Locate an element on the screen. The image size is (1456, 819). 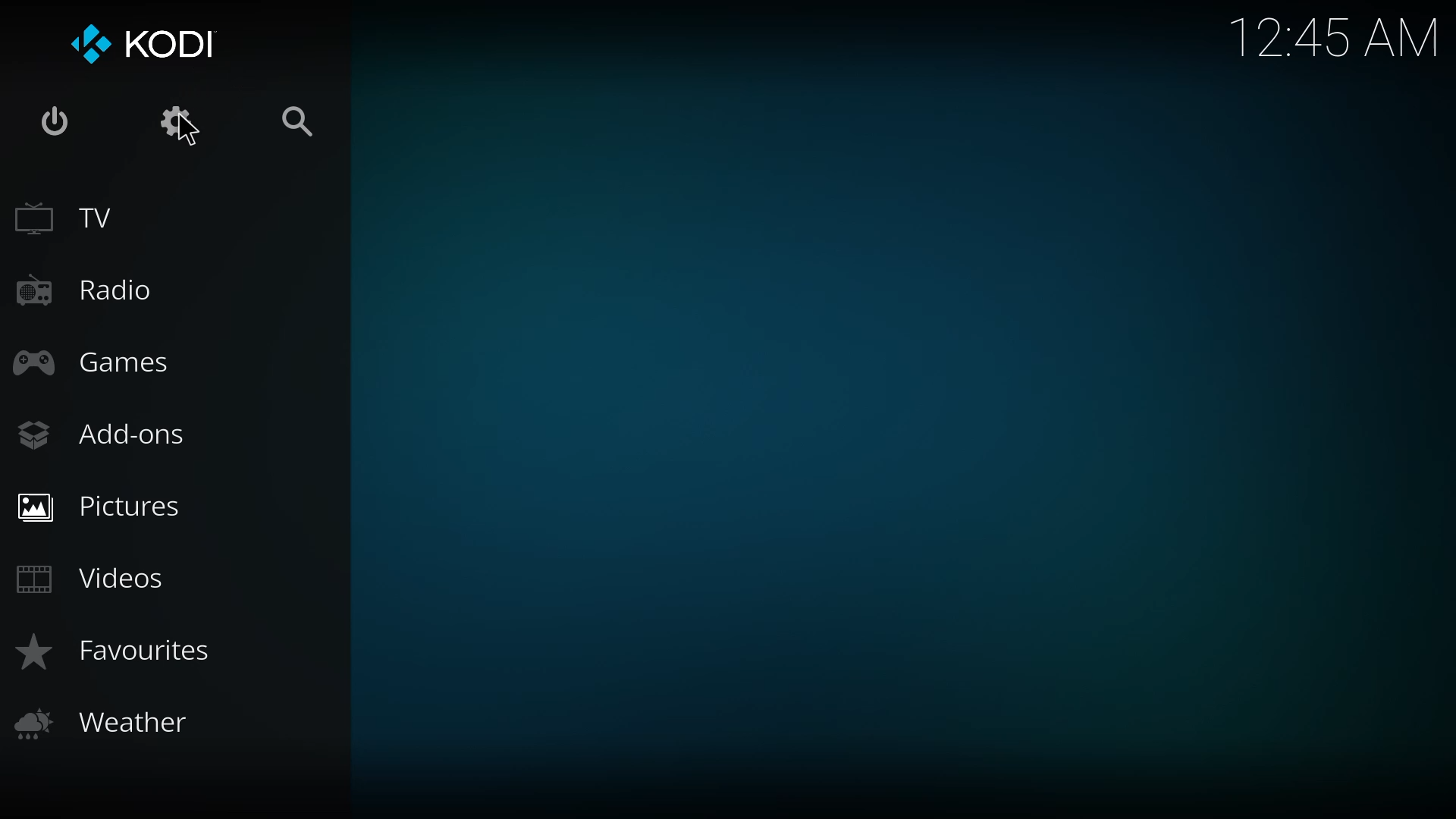
settings is located at coordinates (184, 122).